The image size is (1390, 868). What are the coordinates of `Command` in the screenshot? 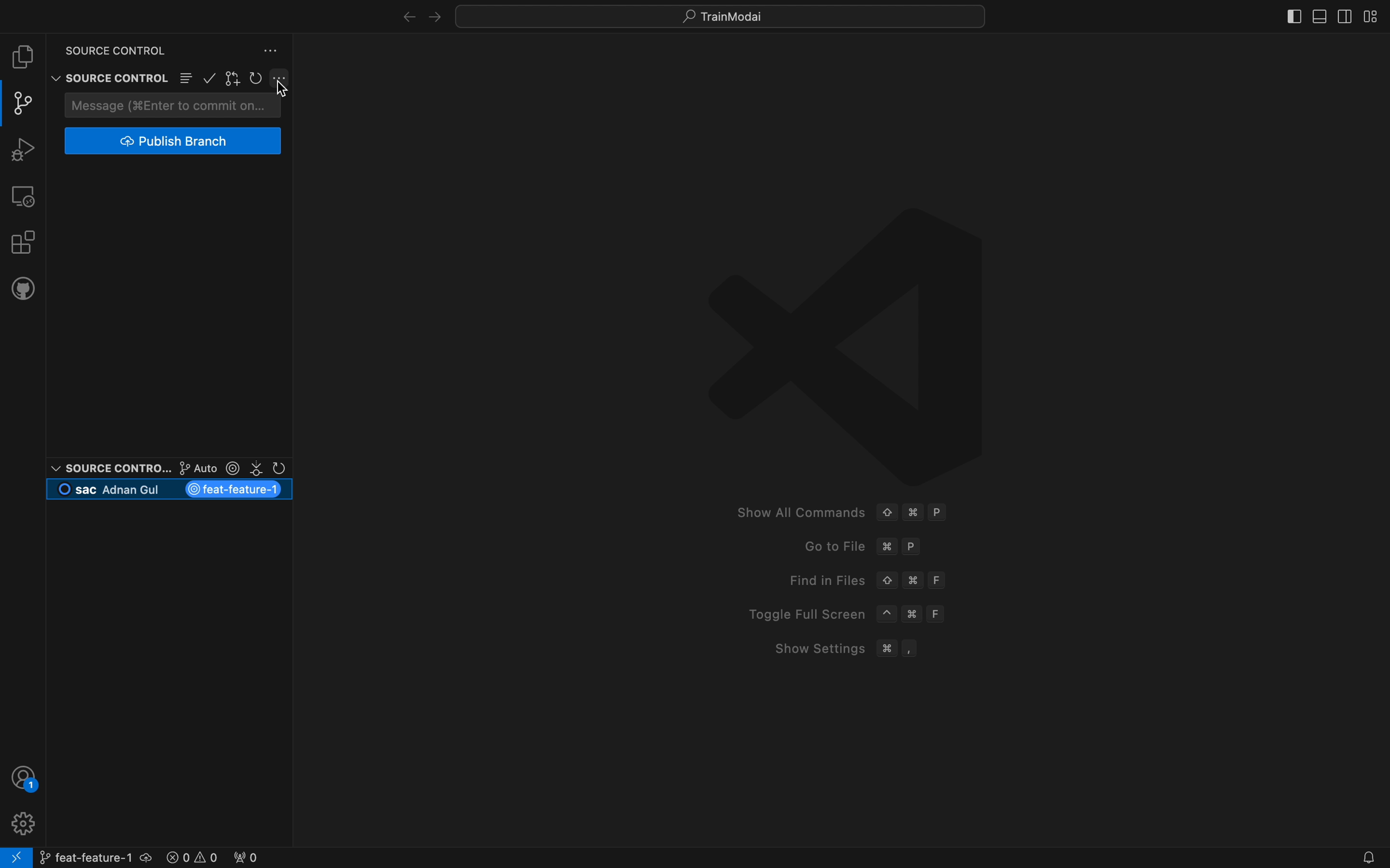 It's located at (916, 616).